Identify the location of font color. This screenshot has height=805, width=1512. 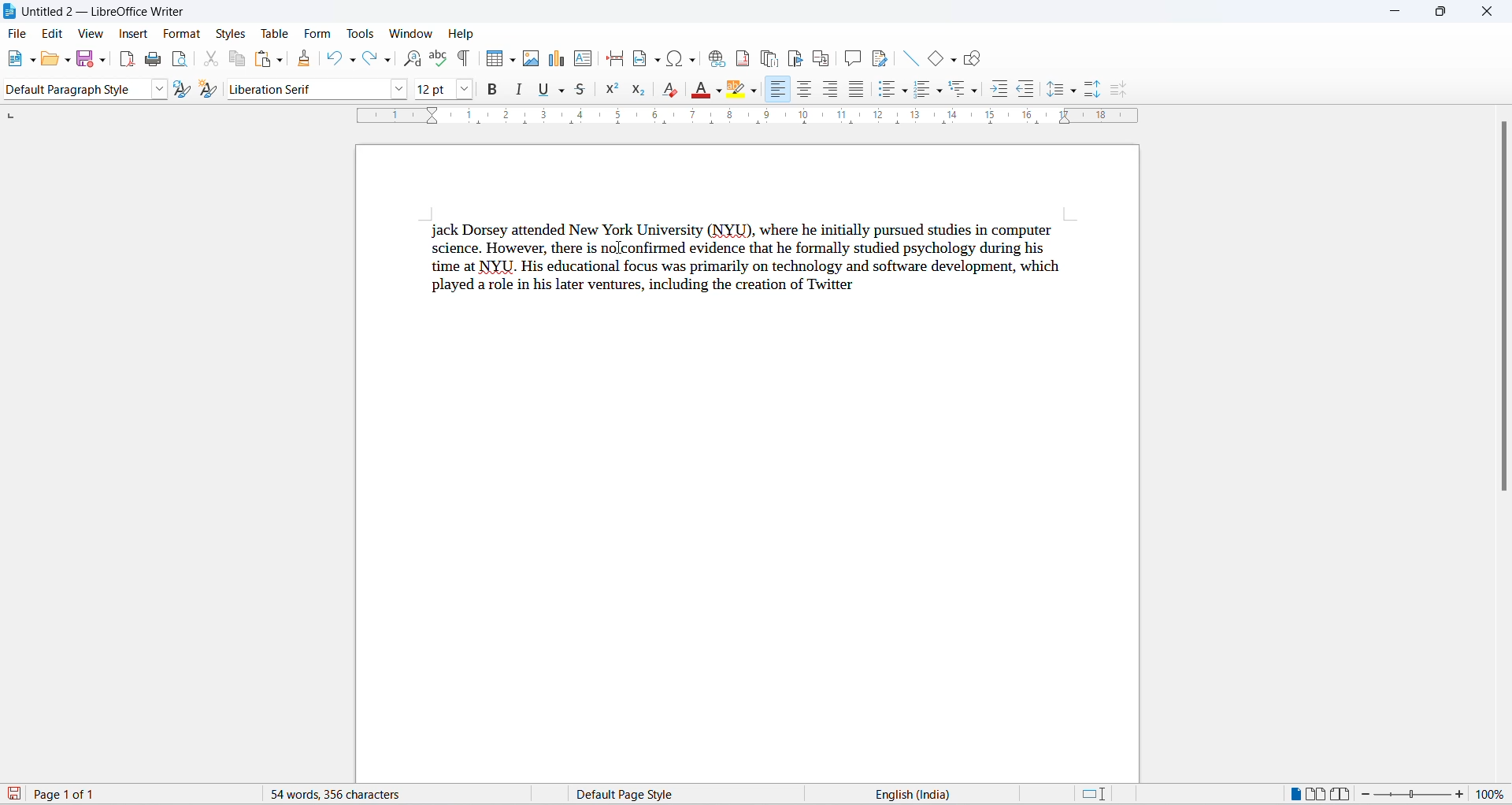
(697, 90).